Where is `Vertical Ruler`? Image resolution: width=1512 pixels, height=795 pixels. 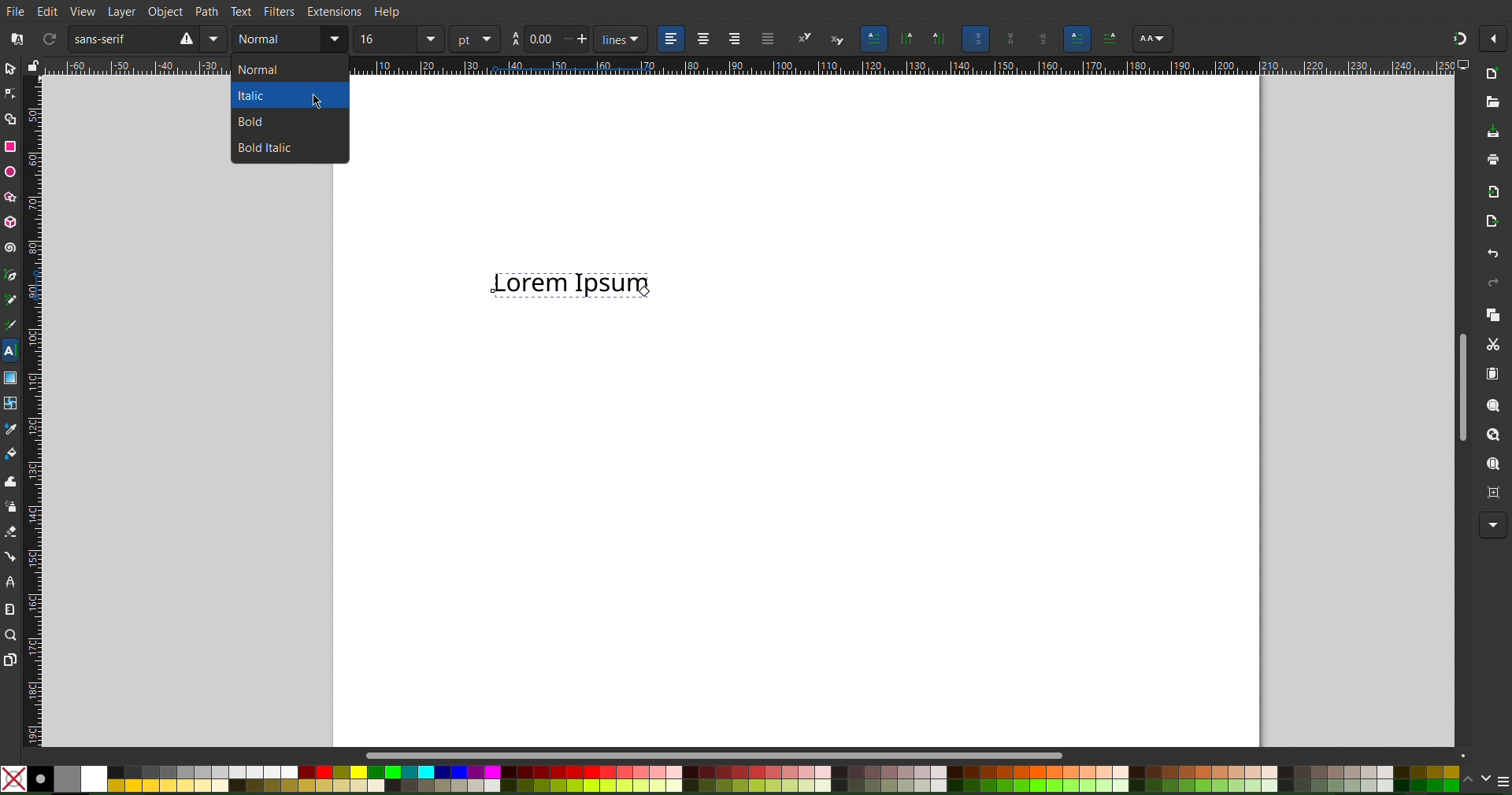 Vertical Ruler is located at coordinates (31, 409).